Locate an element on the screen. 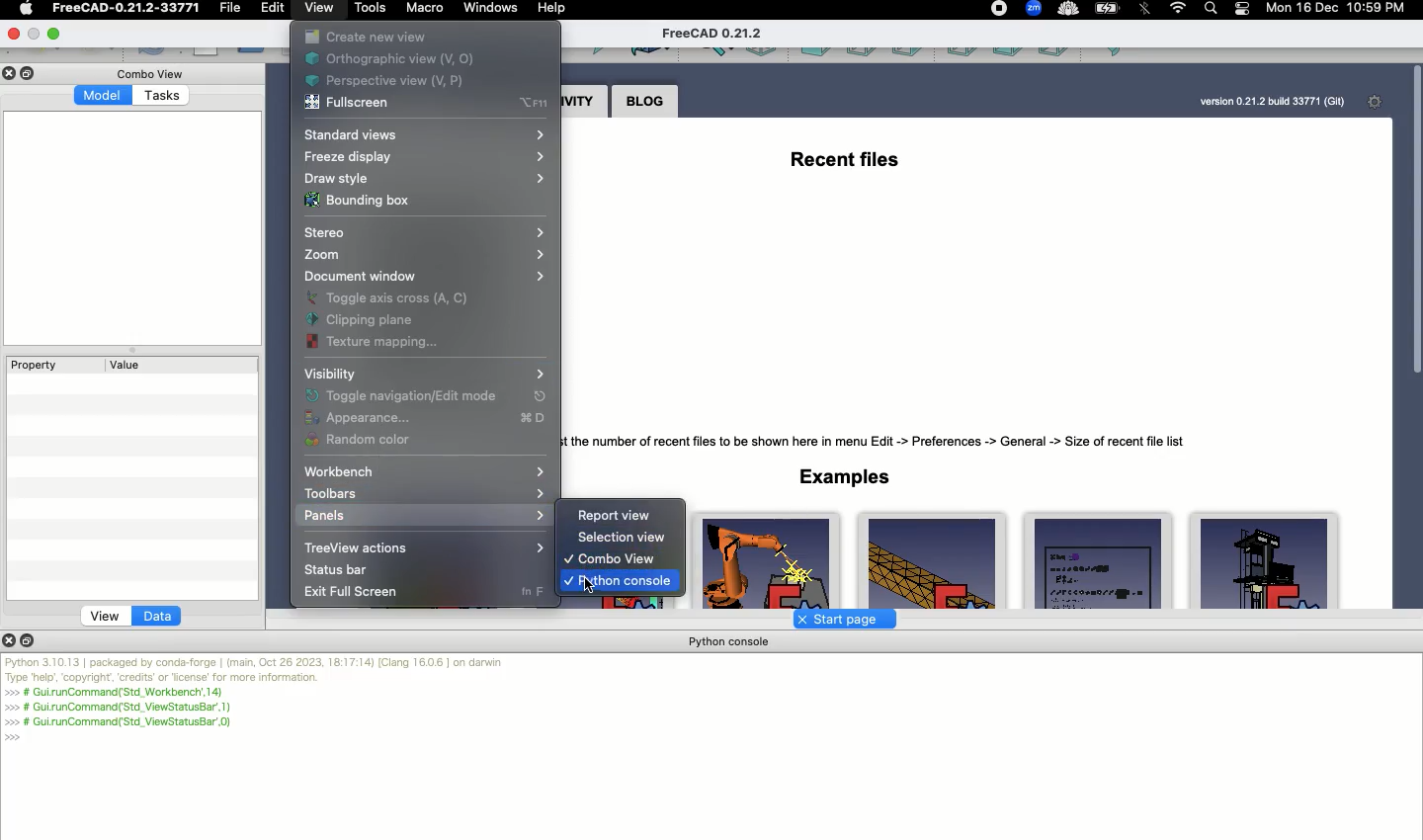  Stereo  is located at coordinates (430, 234).